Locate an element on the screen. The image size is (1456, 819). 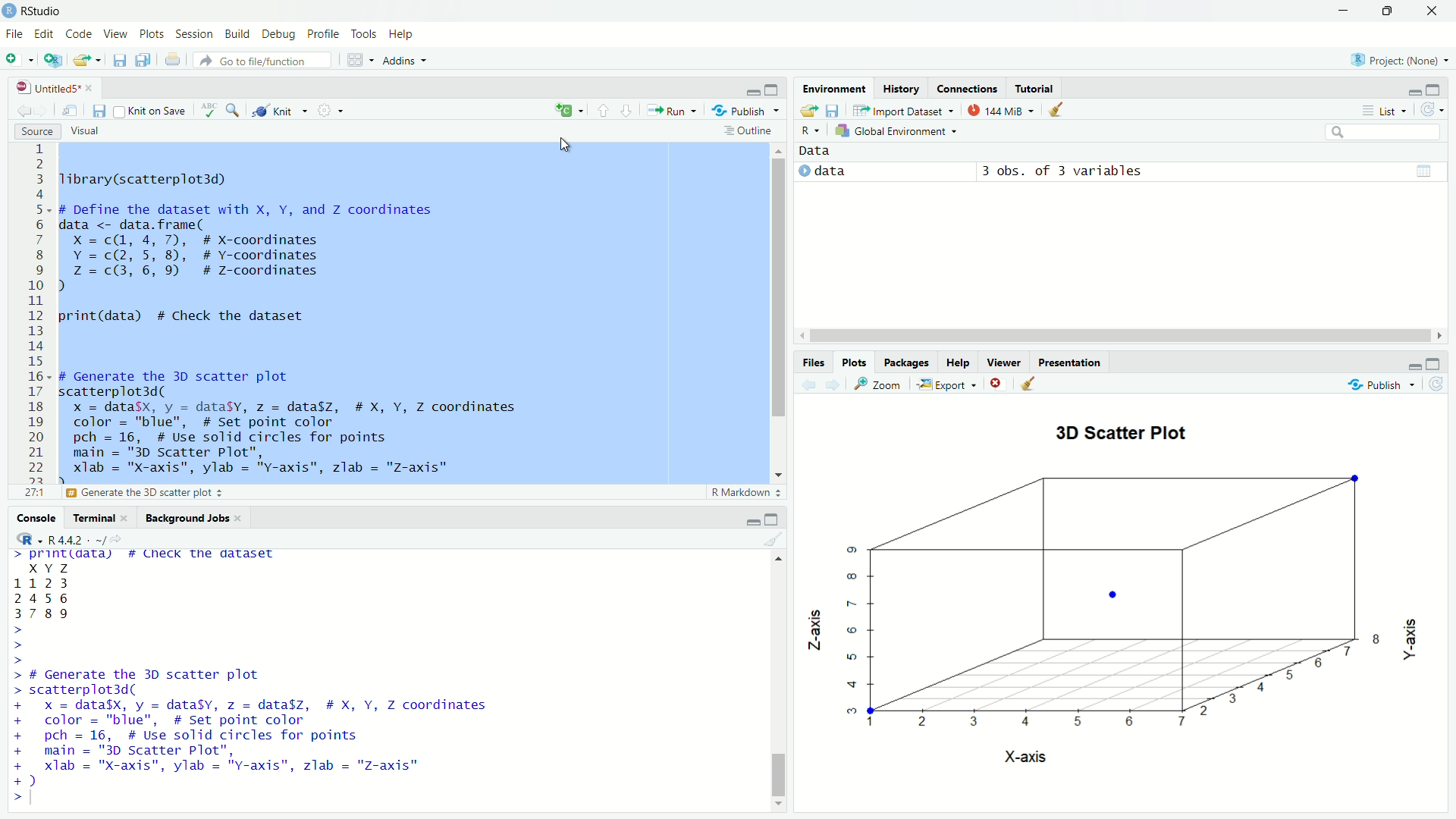
maximize is located at coordinates (773, 518).